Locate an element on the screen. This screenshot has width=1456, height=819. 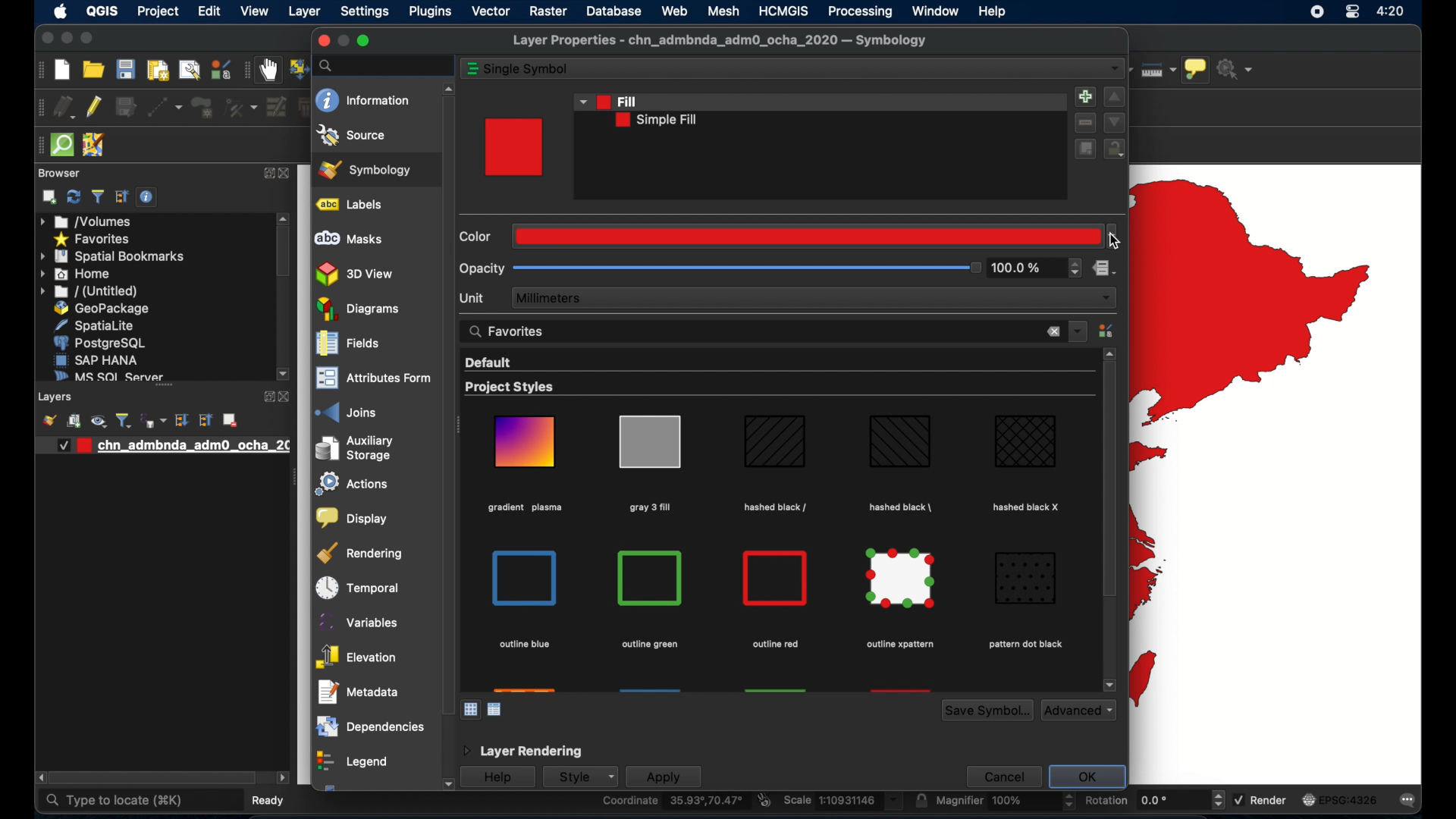
inactive minimize button is located at coordinates (343, 41).